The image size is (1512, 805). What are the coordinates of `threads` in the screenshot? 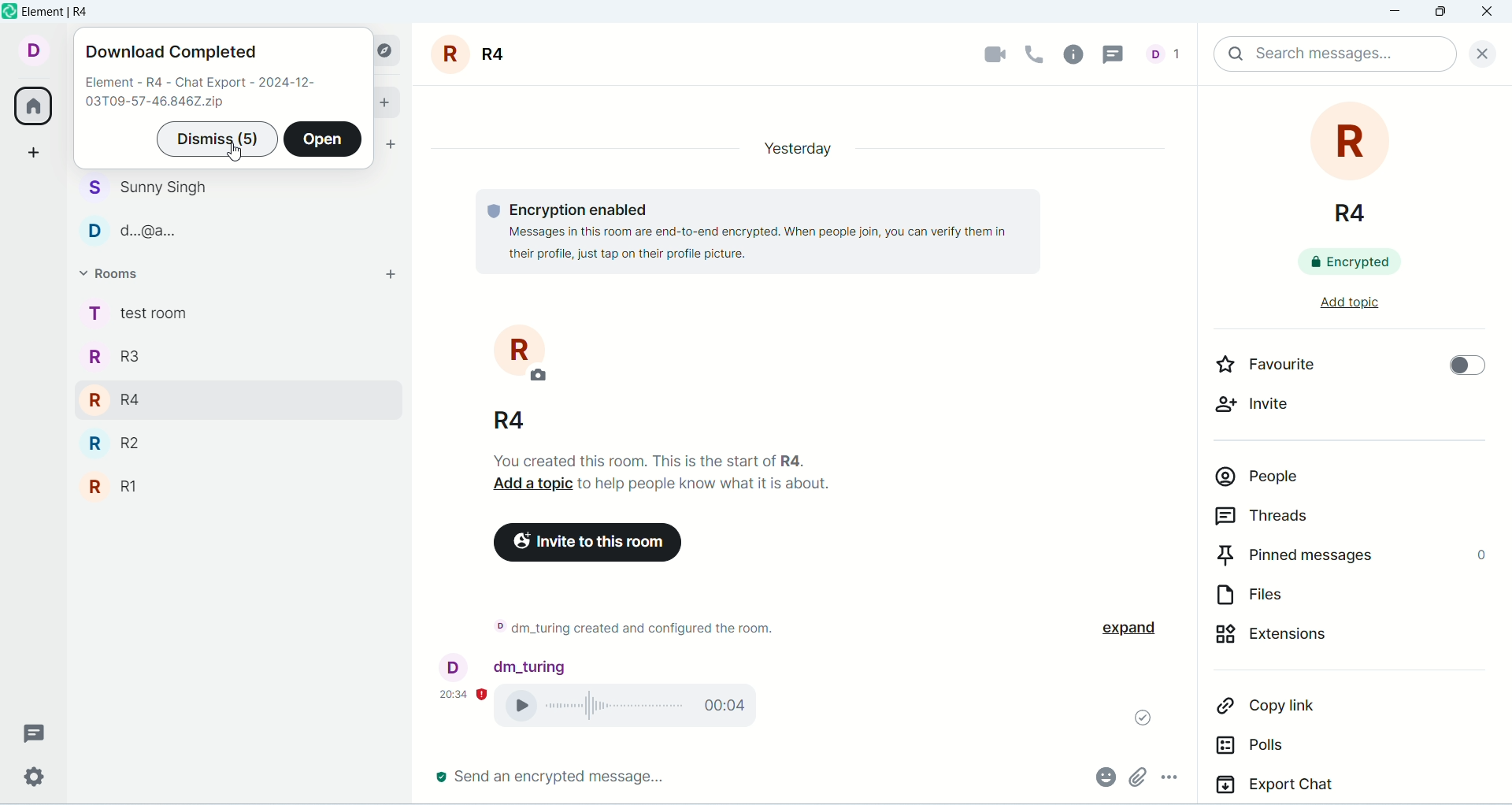 It's located at (1119, 53).